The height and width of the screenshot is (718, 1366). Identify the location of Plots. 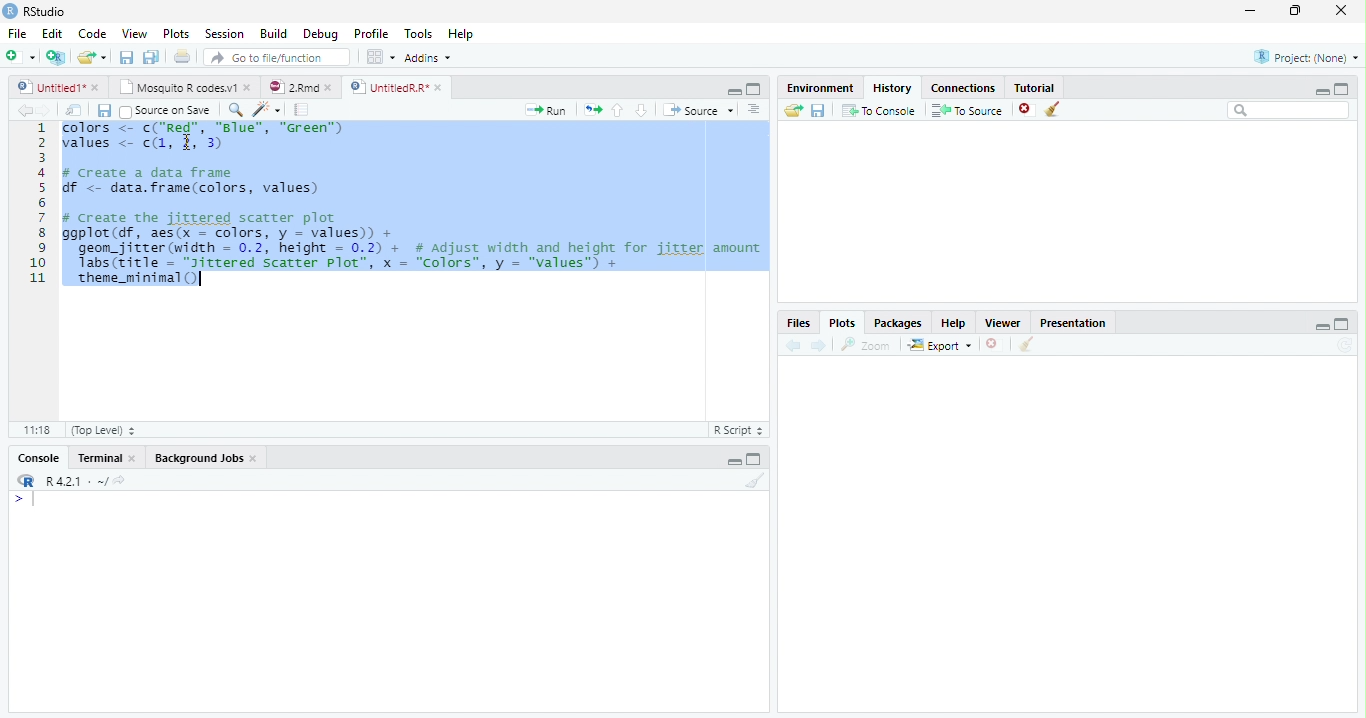
(177, 33).